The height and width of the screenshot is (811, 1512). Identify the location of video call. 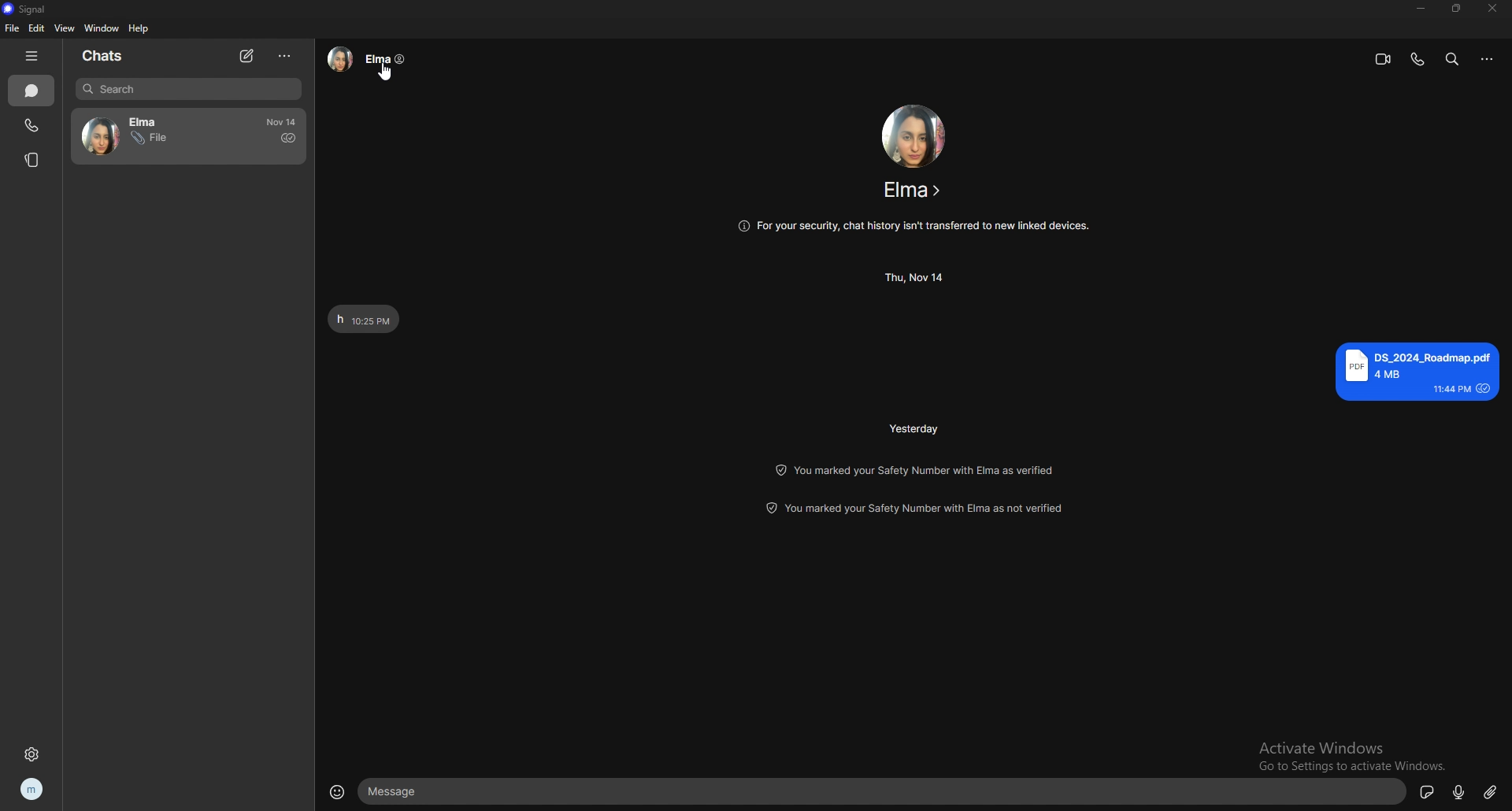
(1384, 59).